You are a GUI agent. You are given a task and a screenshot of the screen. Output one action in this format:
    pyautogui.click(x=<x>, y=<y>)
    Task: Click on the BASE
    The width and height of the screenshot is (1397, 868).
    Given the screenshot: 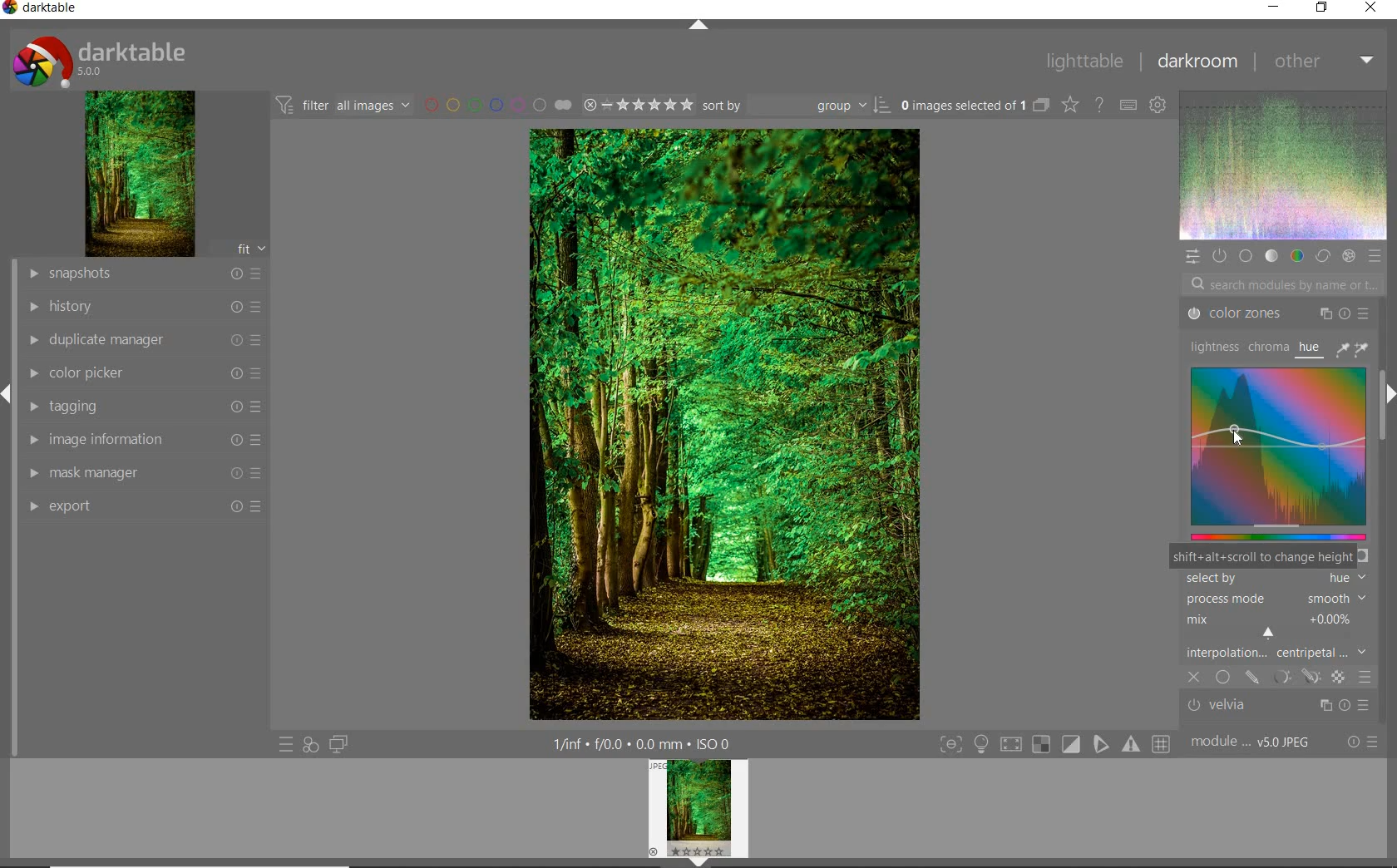 What is the action you would take?
    pyautogui.click(x=1246, y=258)
    